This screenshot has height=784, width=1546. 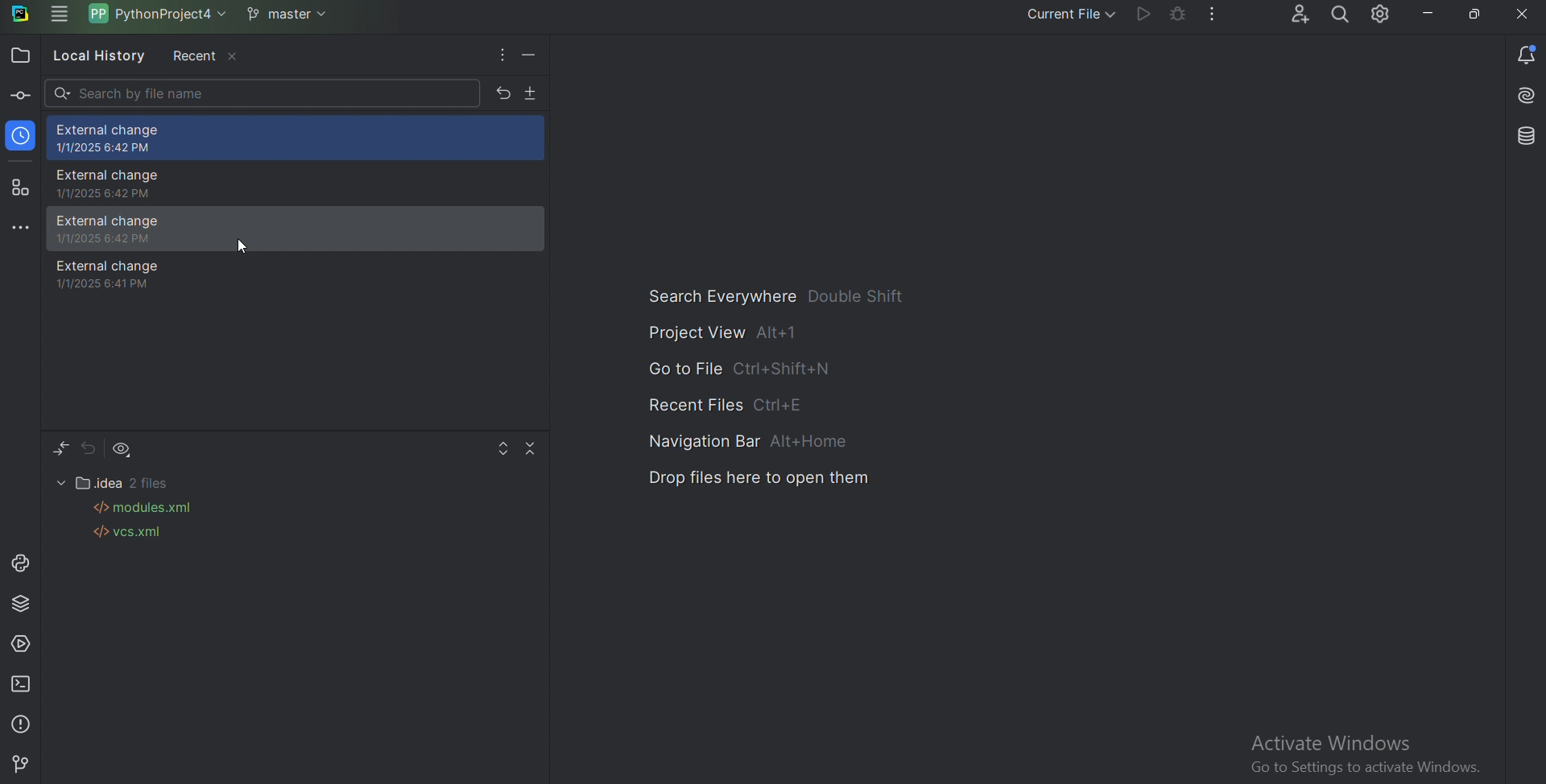 What do you see at coordinates (117, 481) in the screenshot?
I see `Files` at bounding box center [117, 481].